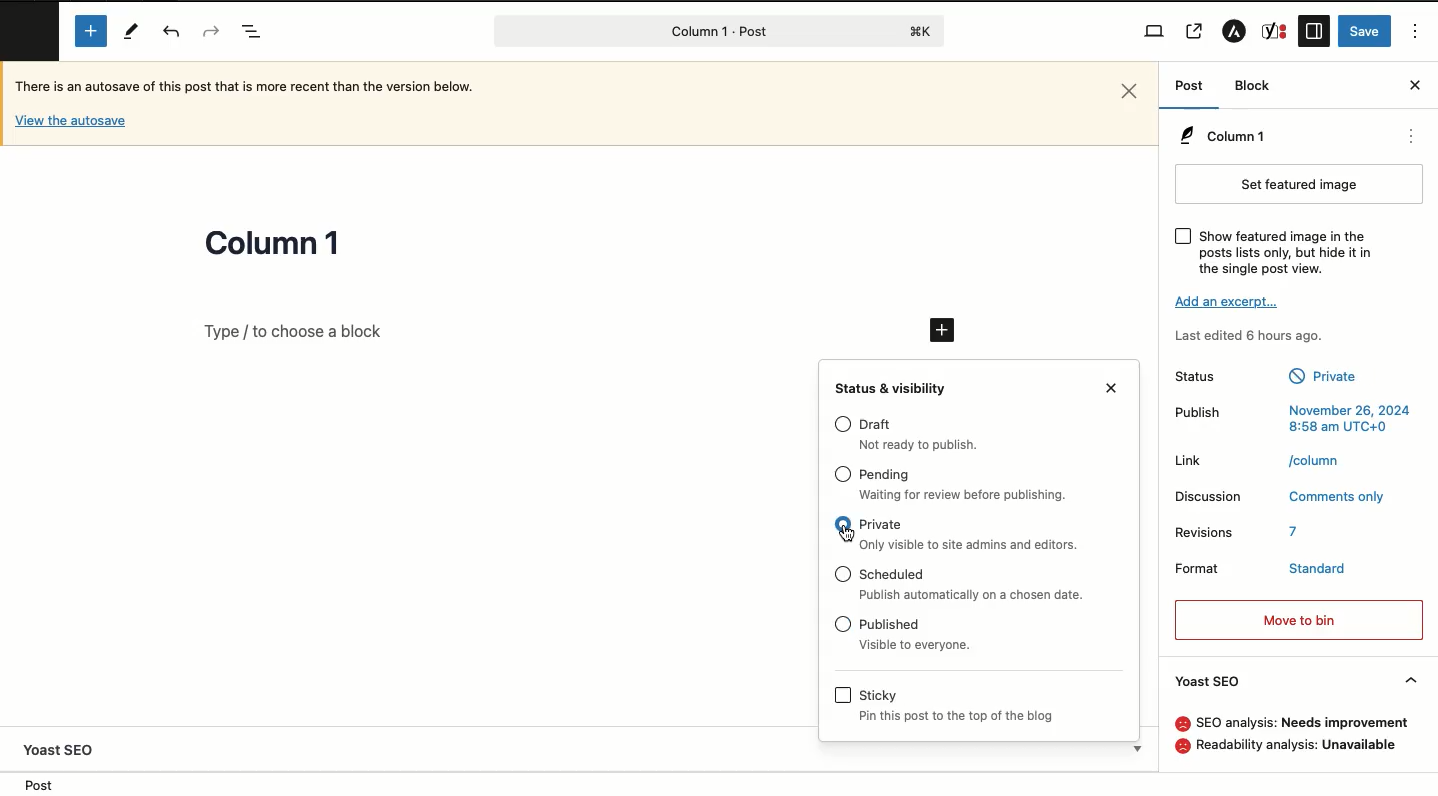  I want to click on Last edited, so click(1254, 335).